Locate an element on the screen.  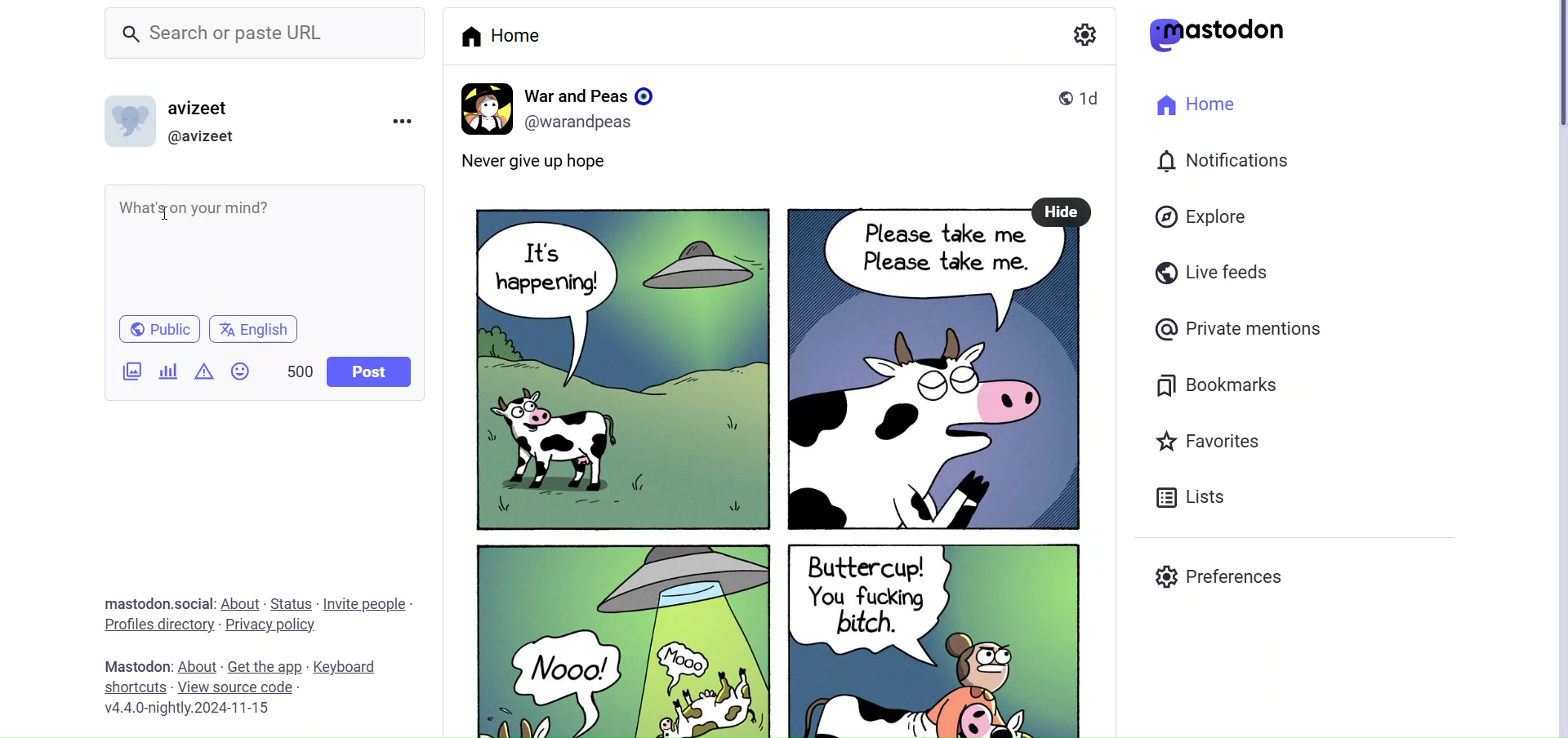
Setting is located at coordinates (1082, 35).